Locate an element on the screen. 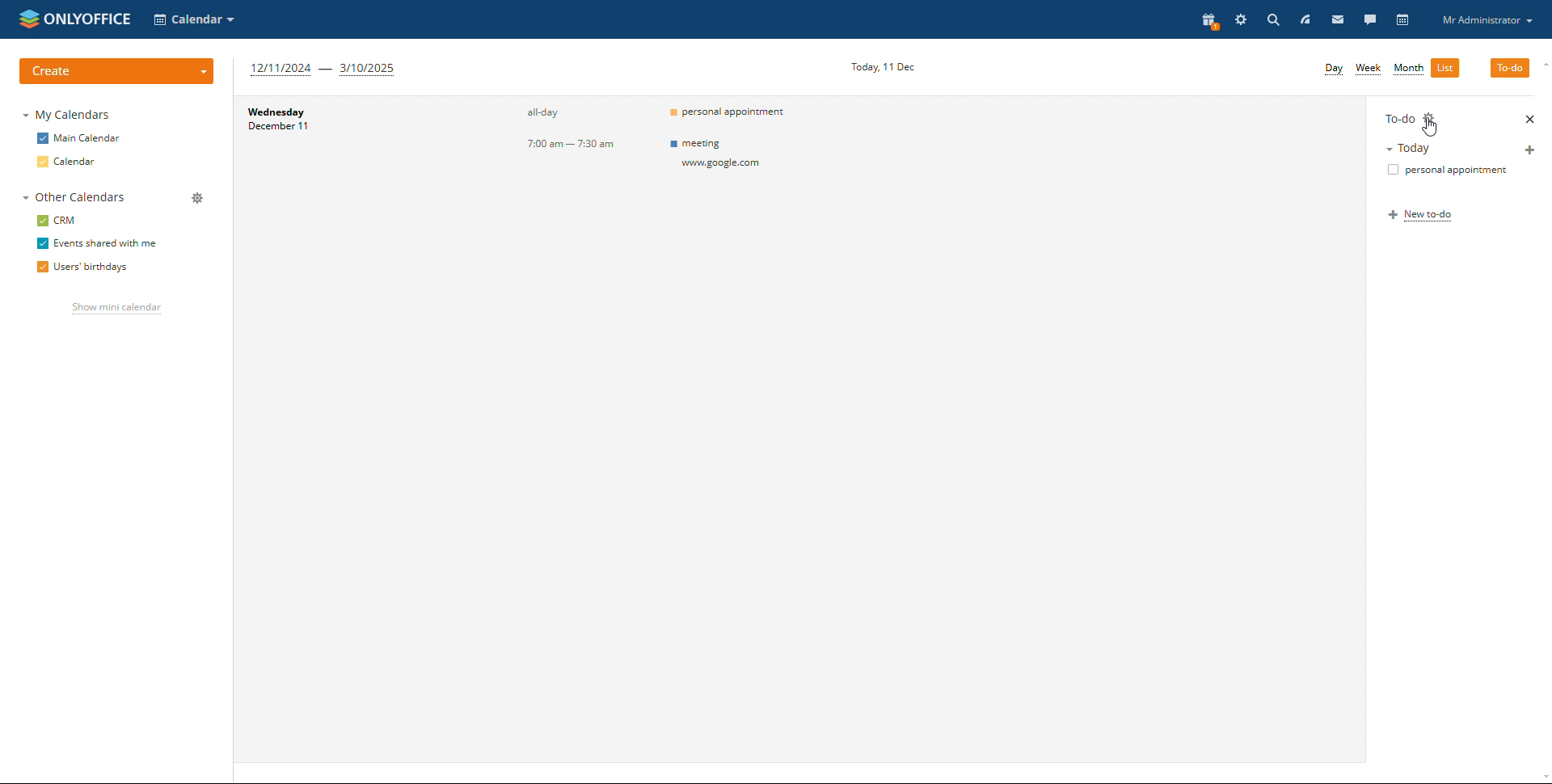 Image resolution: width=1552 pixels, height=784 pixels. month view is located at coordinates (1408, 70).